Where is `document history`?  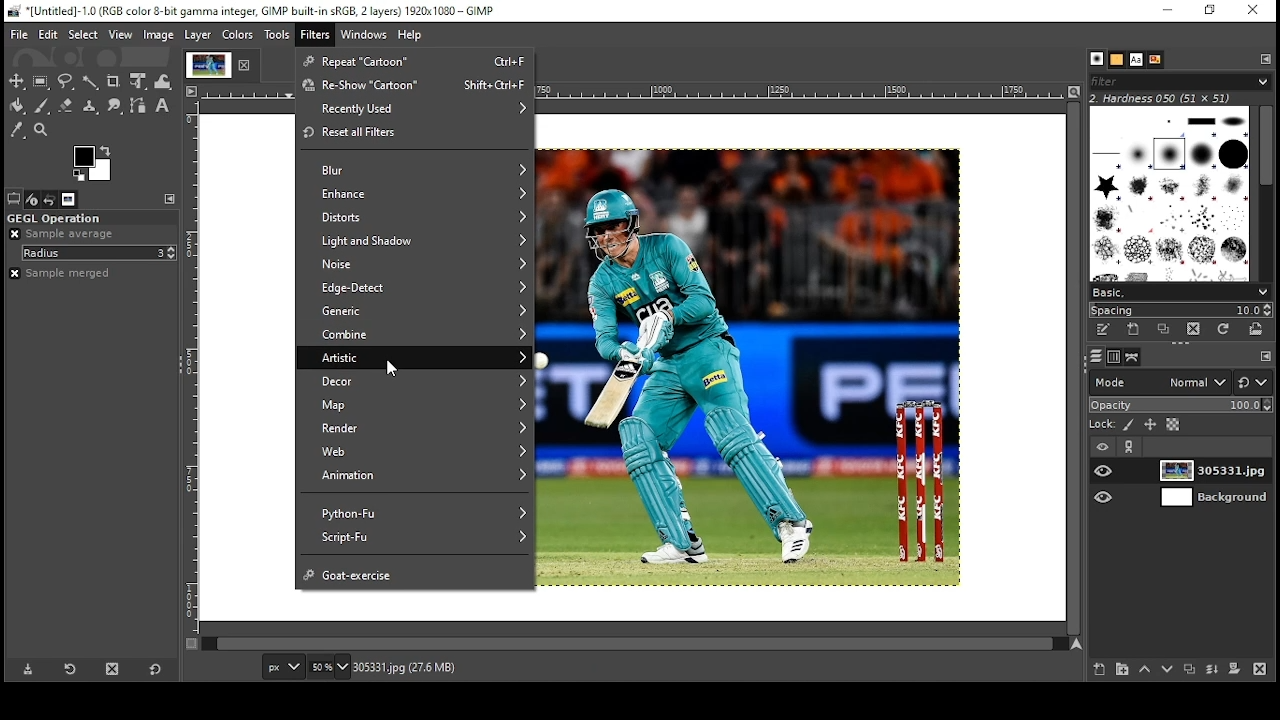
document history is located at coordinates (1156, 59).